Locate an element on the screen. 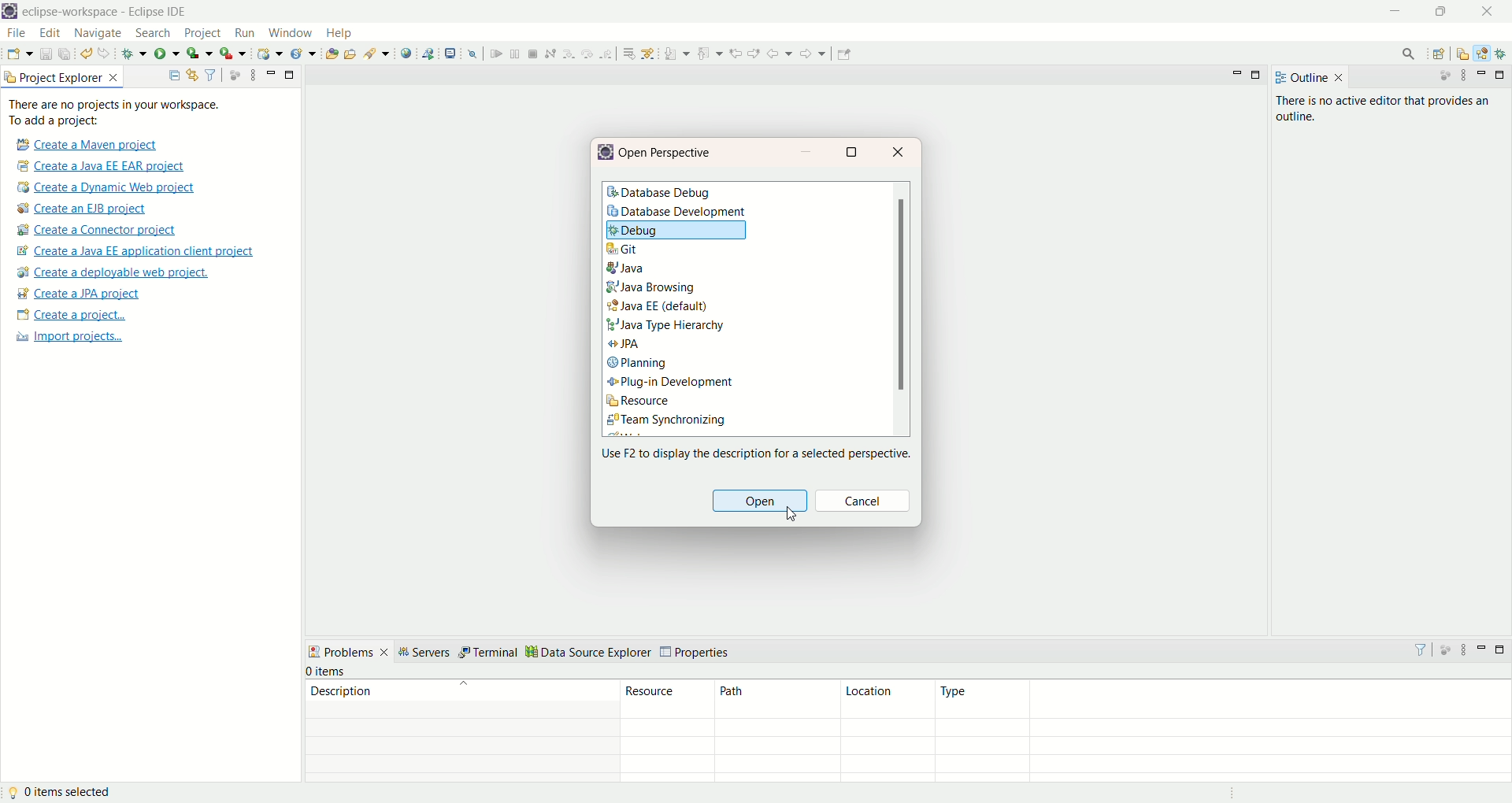 This screenshot has width=1512, height=803. 0 items is located at coordinates (329, 670).